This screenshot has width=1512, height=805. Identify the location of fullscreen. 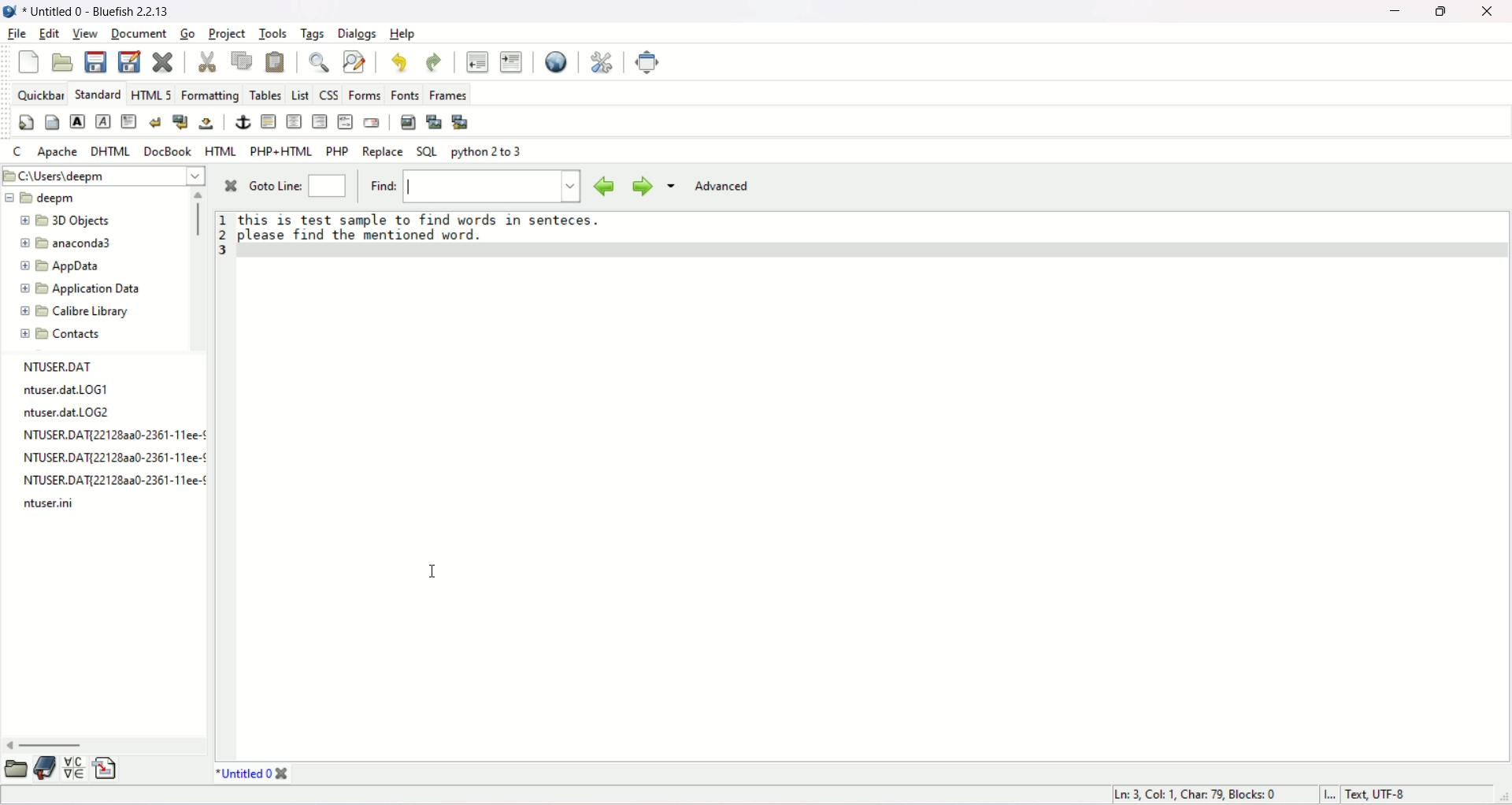
(650, 61).